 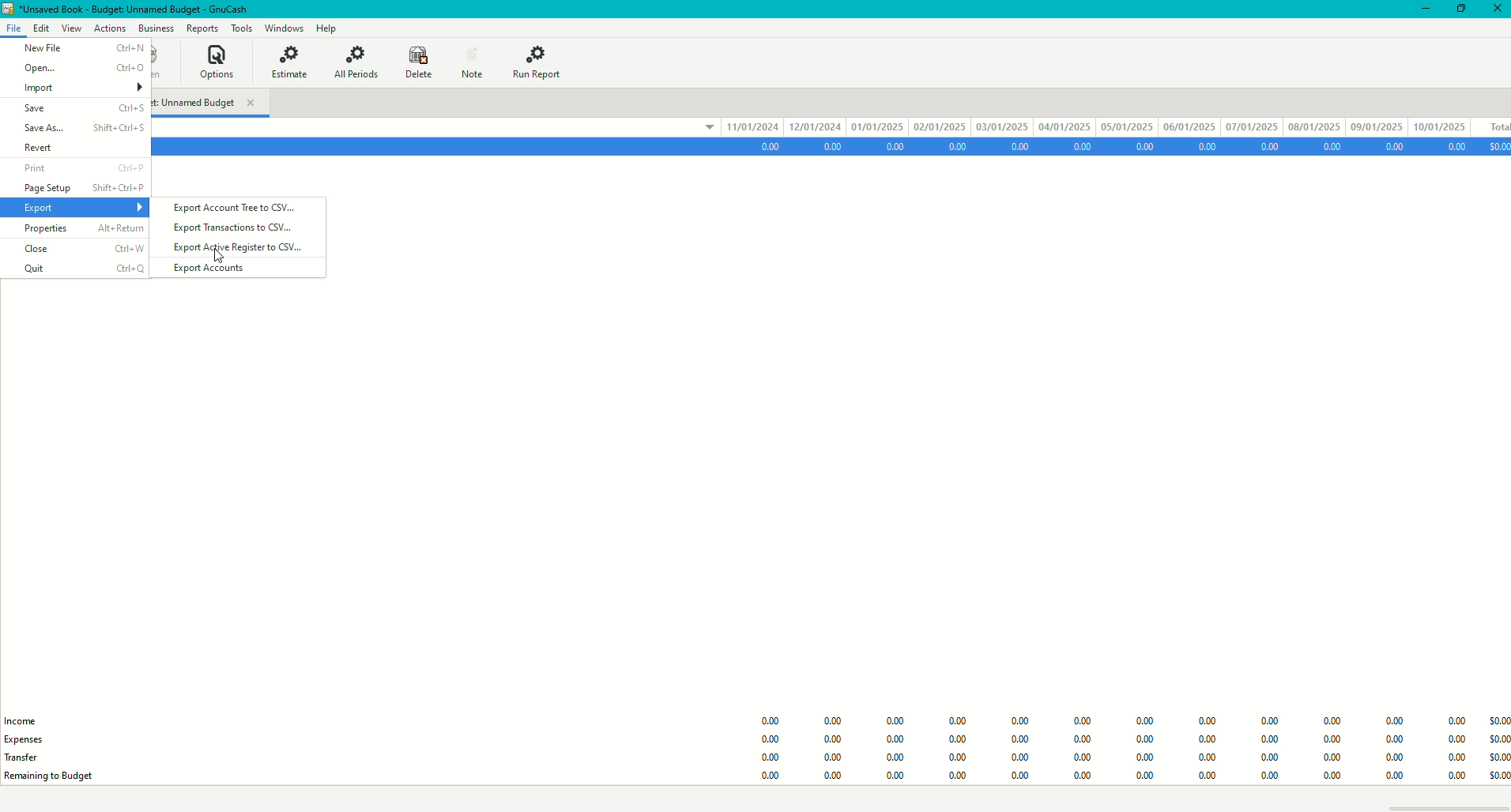 I want to click on Close, so click(x=81, y=249).